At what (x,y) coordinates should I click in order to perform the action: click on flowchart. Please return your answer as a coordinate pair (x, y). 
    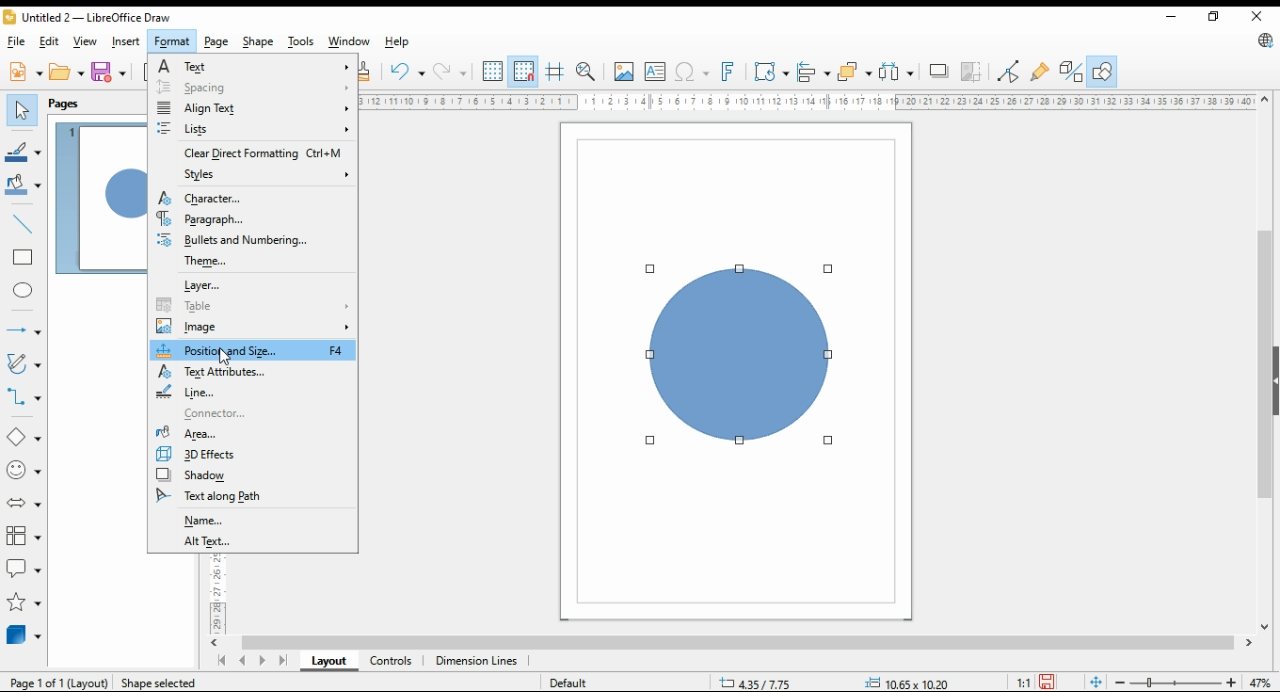
    Looking at the image, I should click on (23, 536).